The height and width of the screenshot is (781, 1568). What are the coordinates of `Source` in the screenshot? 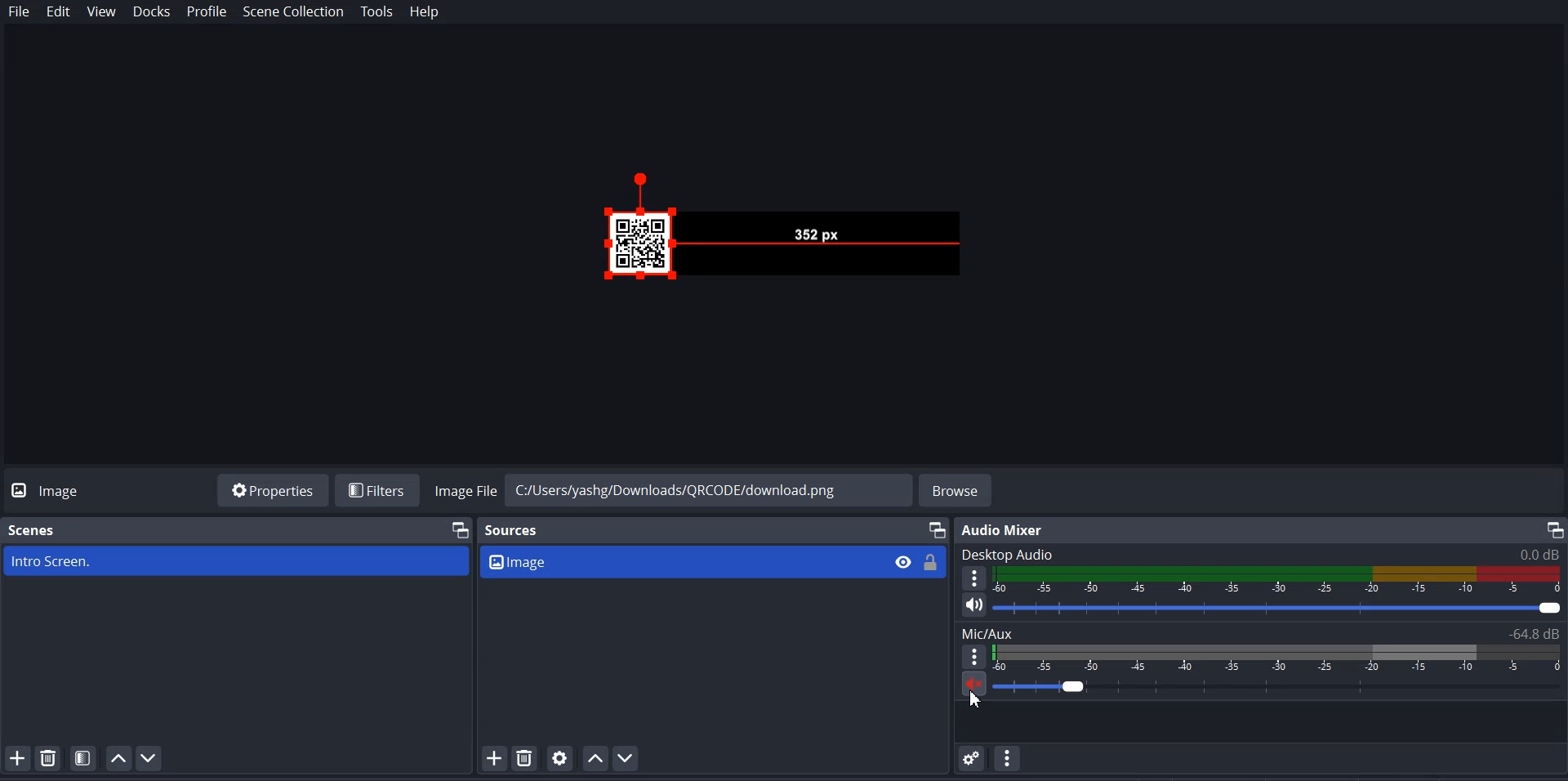 It's located at (513, 532).